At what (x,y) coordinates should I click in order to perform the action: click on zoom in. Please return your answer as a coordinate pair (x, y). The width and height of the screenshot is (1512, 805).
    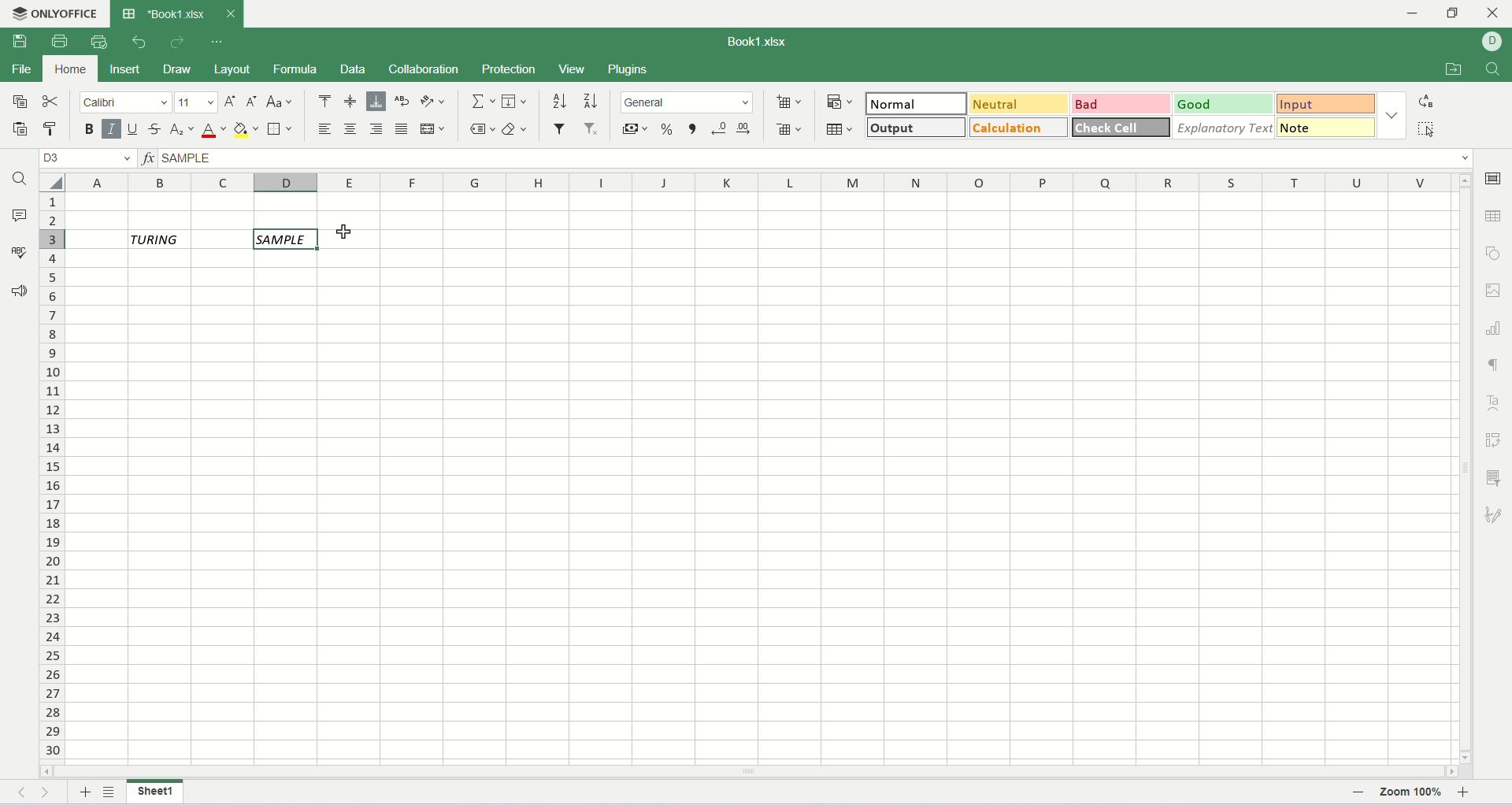
    Looking at the image, I should click on (1466, 795).